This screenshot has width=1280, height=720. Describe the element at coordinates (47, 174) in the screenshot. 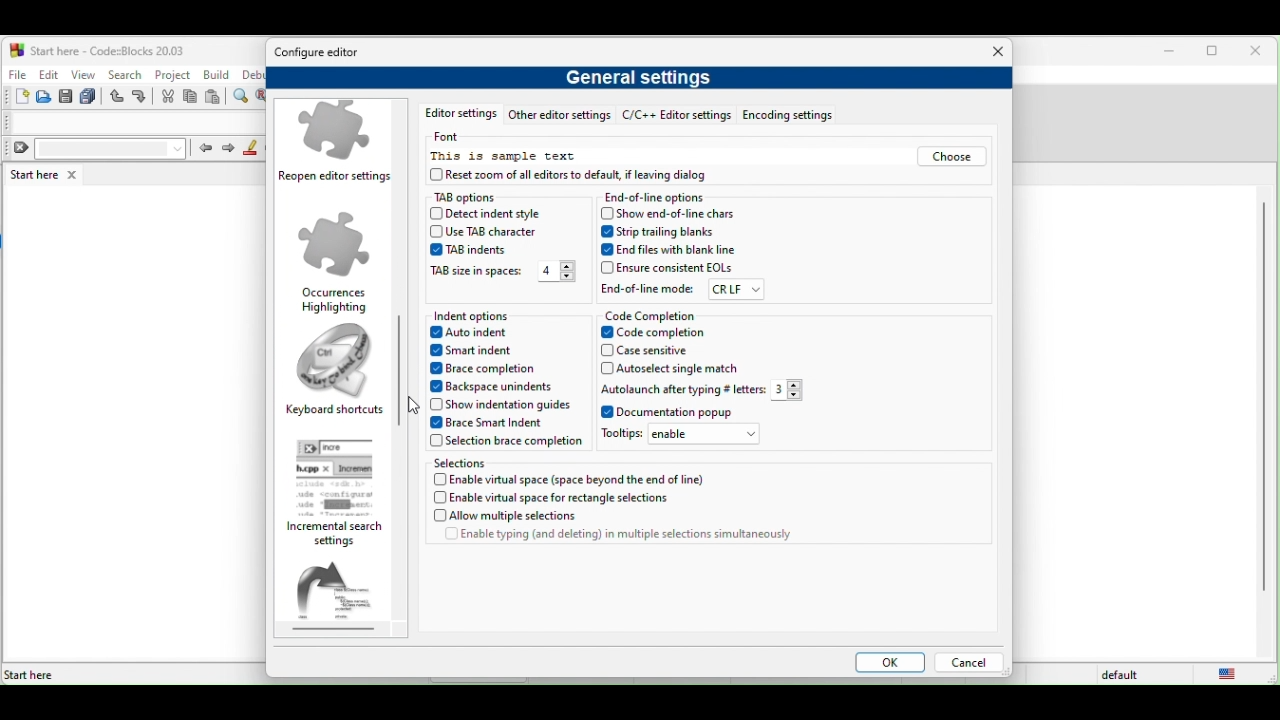

I see `start here` at that location.